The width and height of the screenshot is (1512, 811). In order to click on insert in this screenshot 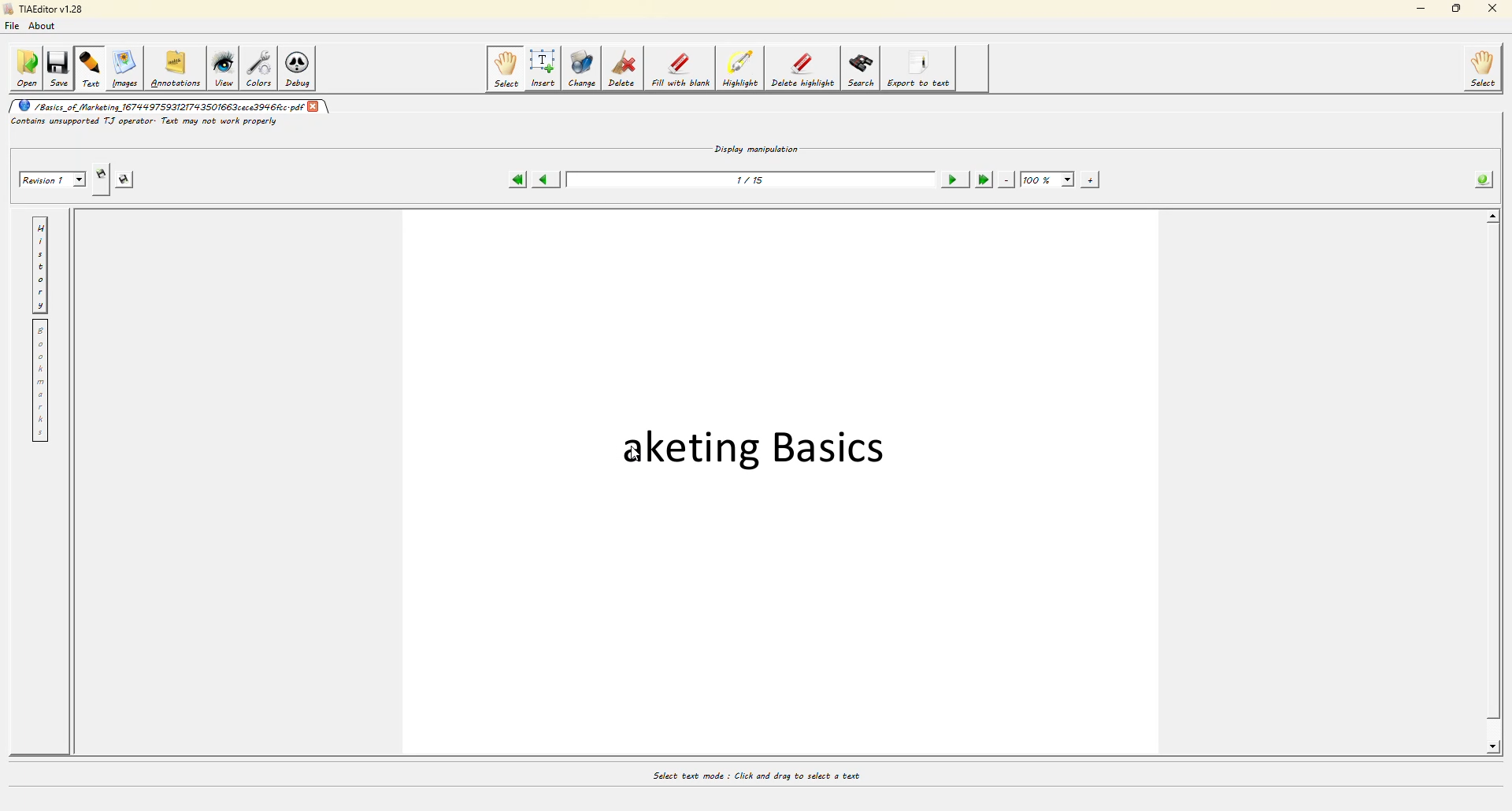, I will do `click(542, 69)`.